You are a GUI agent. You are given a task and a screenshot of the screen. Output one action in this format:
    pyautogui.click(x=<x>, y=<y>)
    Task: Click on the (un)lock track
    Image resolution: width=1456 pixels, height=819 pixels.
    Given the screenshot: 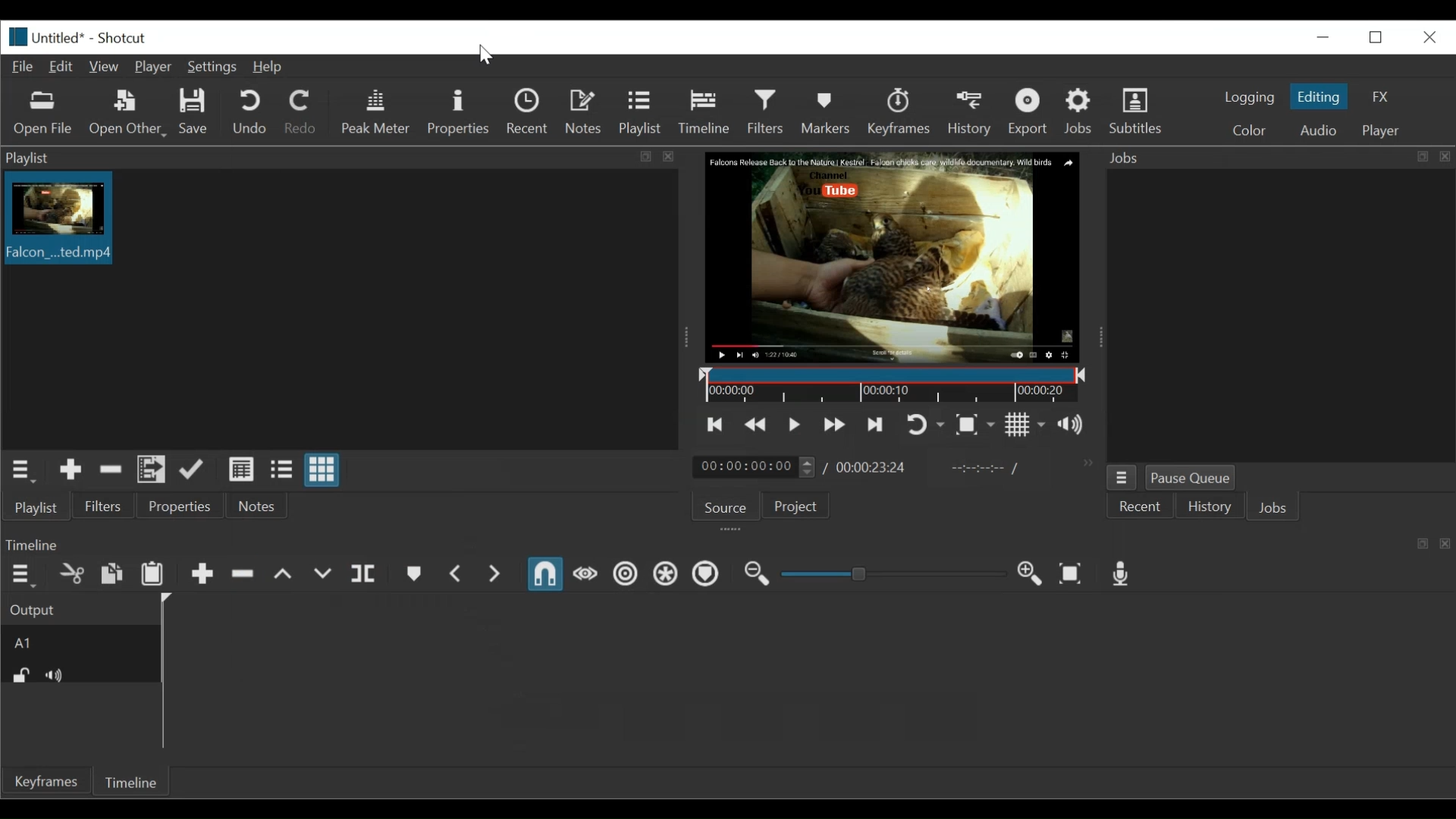 What is the action you would take?
    pyautogui.click(x=20, y=674)
    